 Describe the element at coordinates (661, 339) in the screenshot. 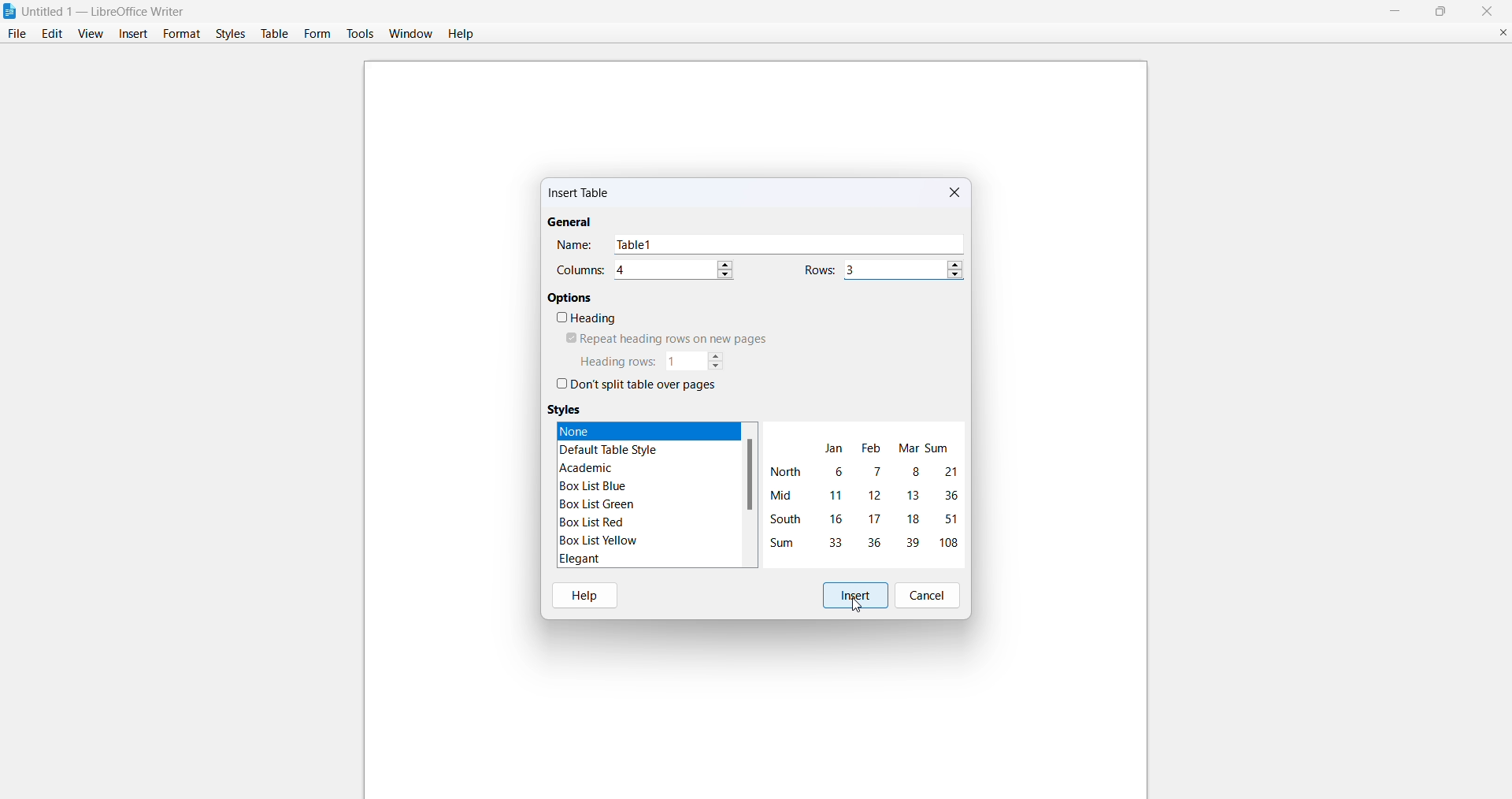

I see `repeat heading rows on new pages 2` at that location.